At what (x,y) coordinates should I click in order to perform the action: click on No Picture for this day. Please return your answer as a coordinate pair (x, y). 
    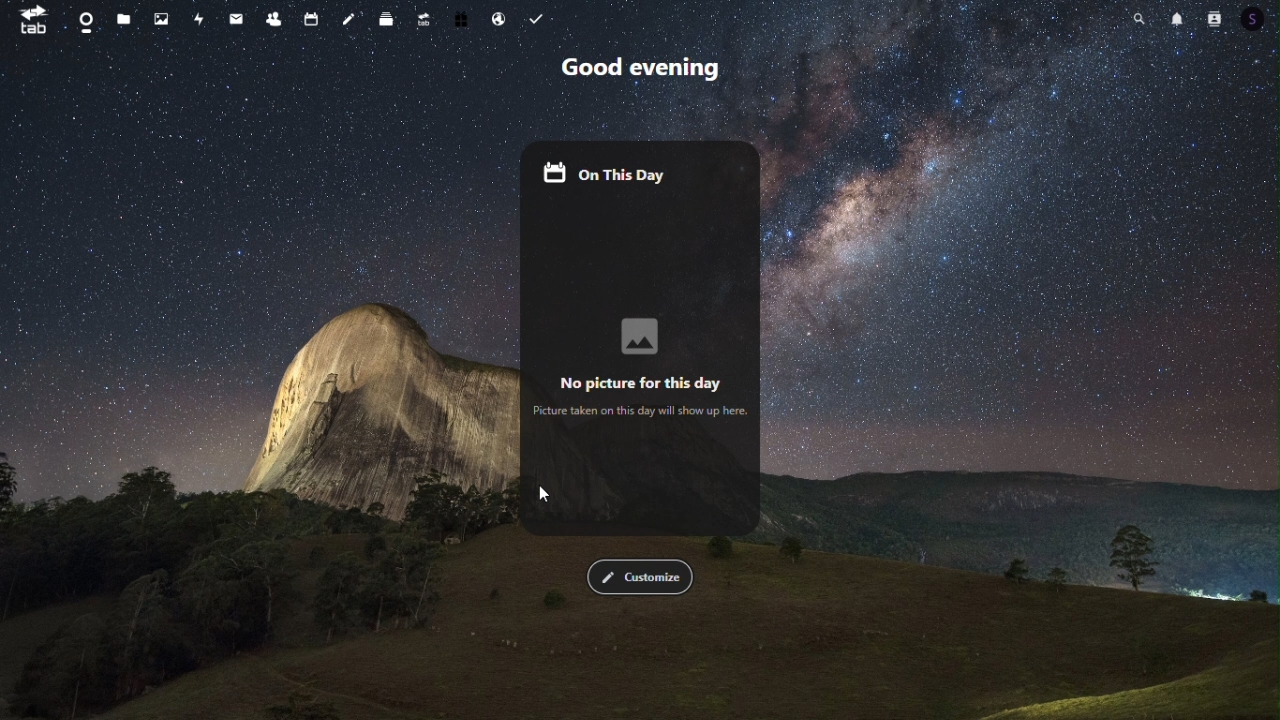
    Looking at the image, I should click on (640, 367).